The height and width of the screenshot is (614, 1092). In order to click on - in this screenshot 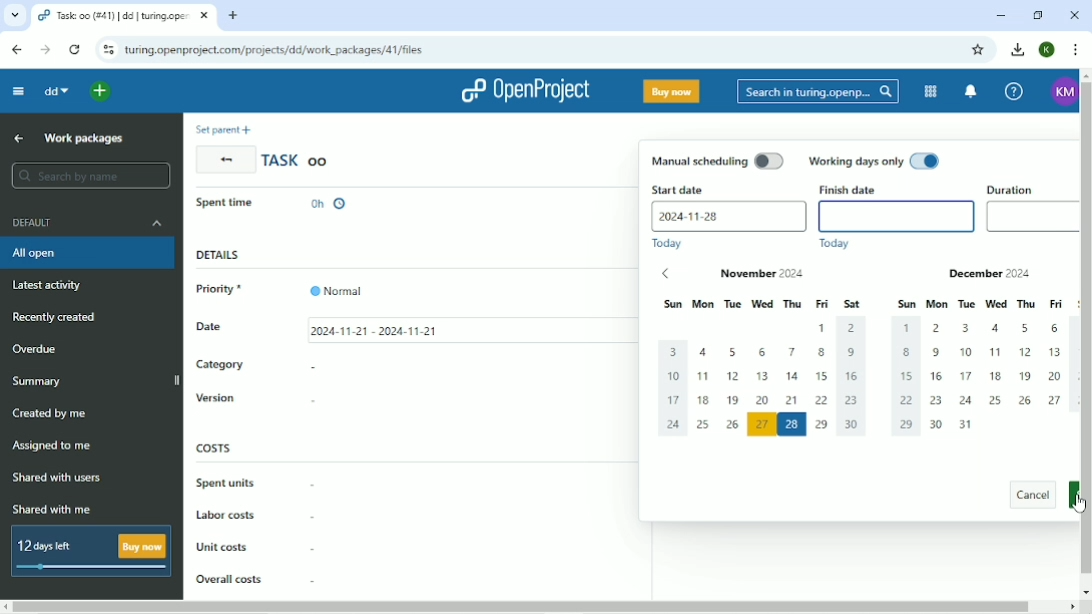, I will do `click(314, 368)`.